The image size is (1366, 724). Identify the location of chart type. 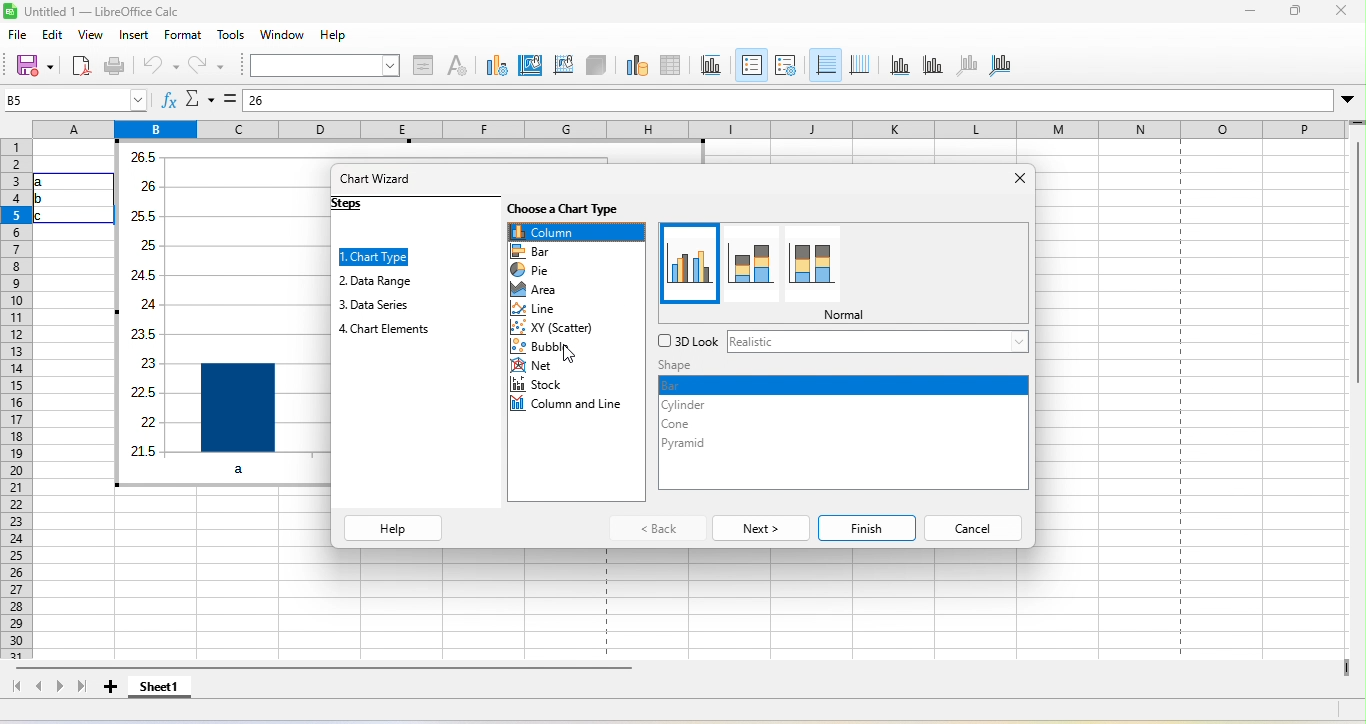
(496, 67).